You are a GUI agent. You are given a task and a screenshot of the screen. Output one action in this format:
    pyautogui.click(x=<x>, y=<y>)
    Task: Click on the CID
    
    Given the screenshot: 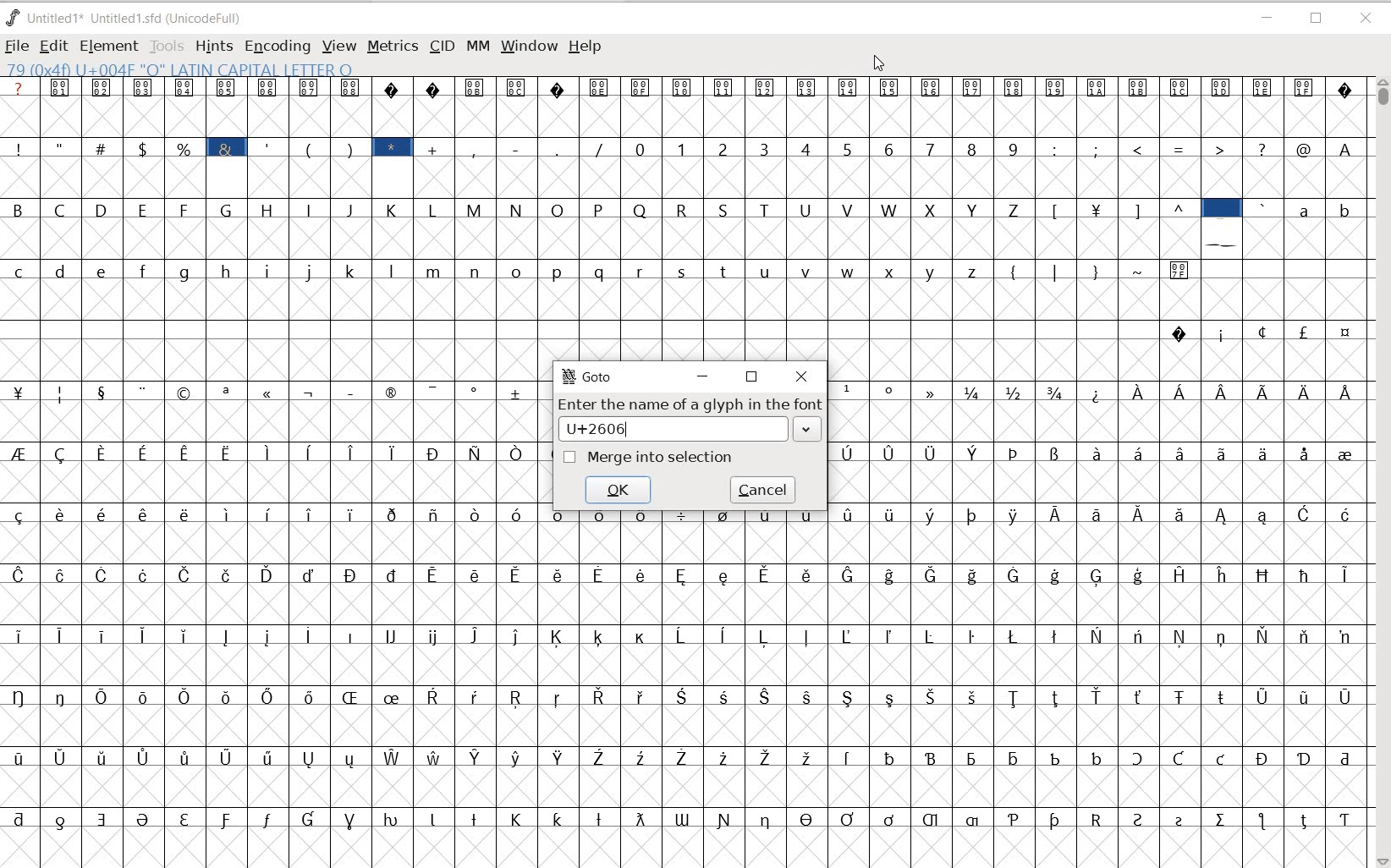 What is the action you would take?
    pyautogui.click(x=442, y=47)
    